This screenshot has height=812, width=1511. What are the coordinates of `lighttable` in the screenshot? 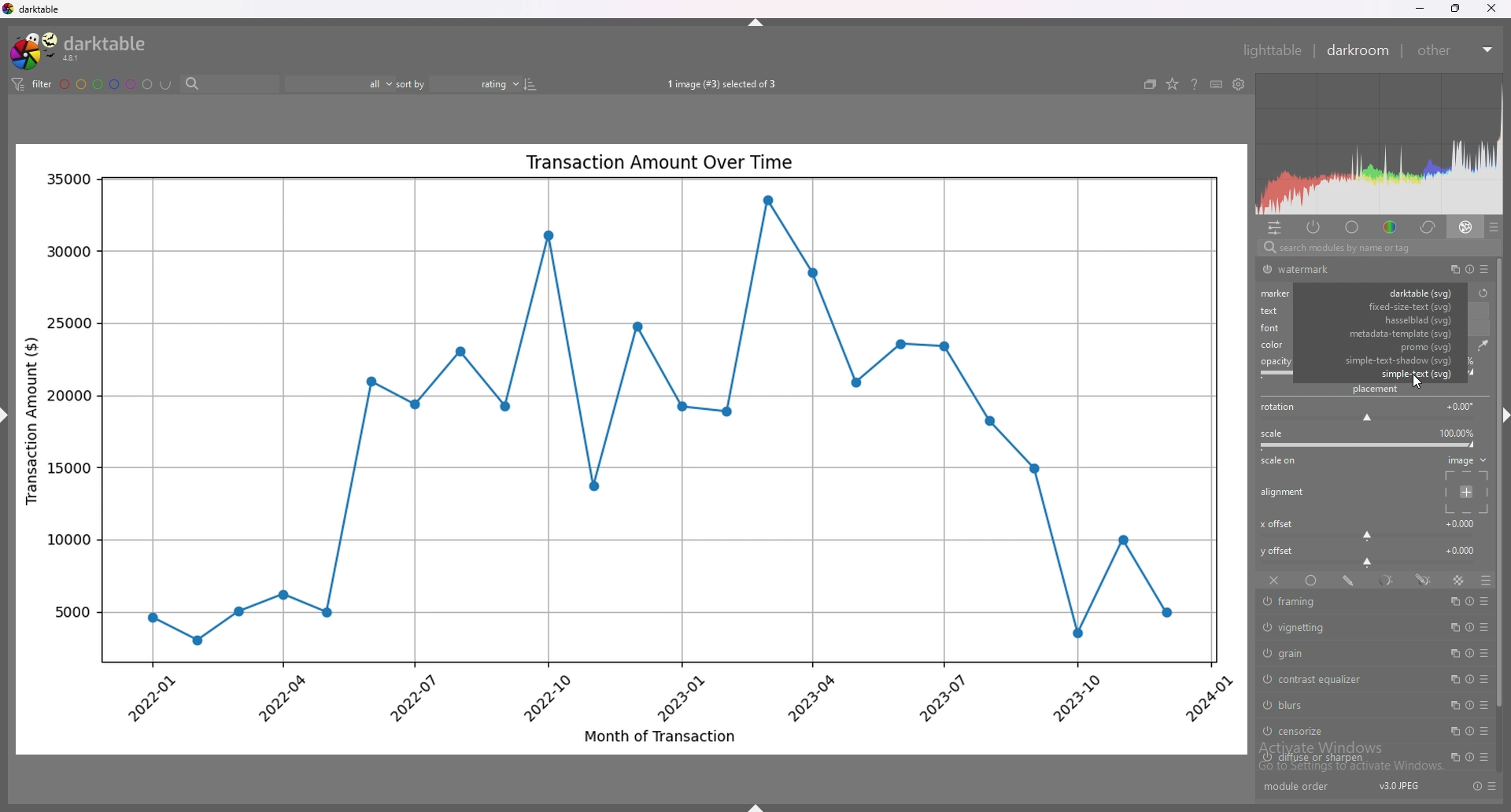 It's located at (1270, 49).